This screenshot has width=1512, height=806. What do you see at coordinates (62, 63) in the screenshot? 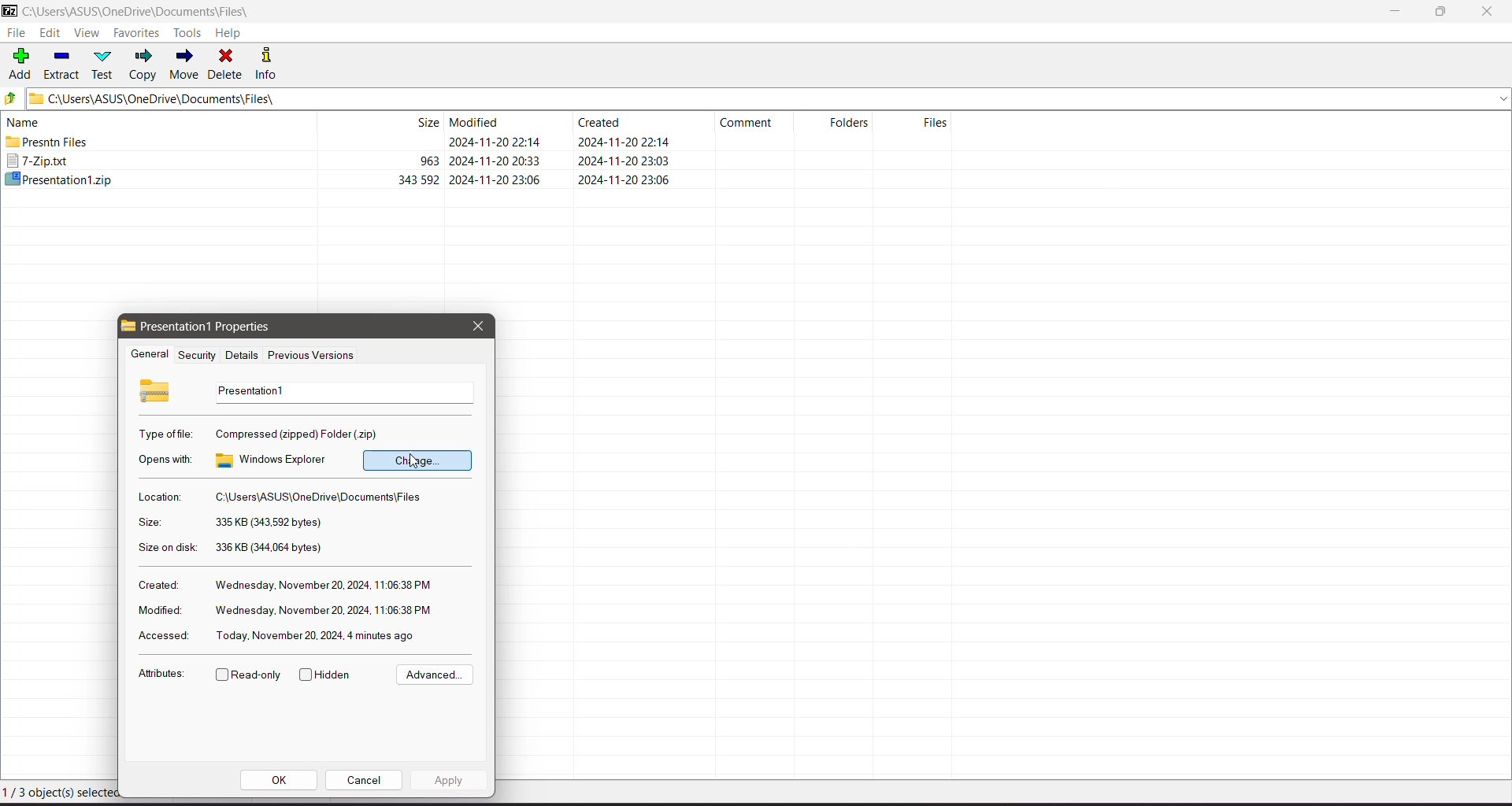
I see `Extract` at bounding box center [62, 63].